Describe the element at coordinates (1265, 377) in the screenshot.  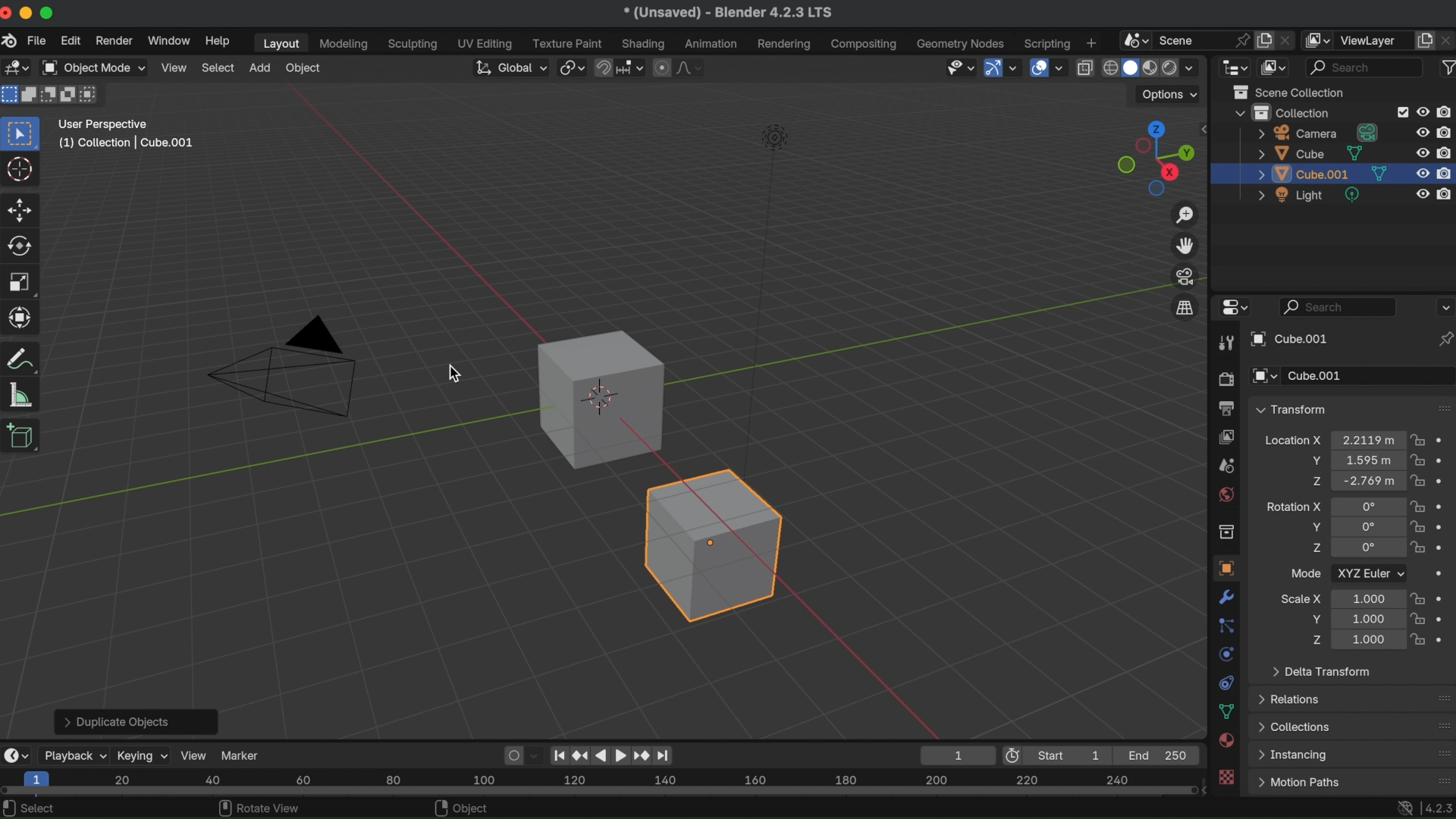
I see `browse object to be linked` at that location.